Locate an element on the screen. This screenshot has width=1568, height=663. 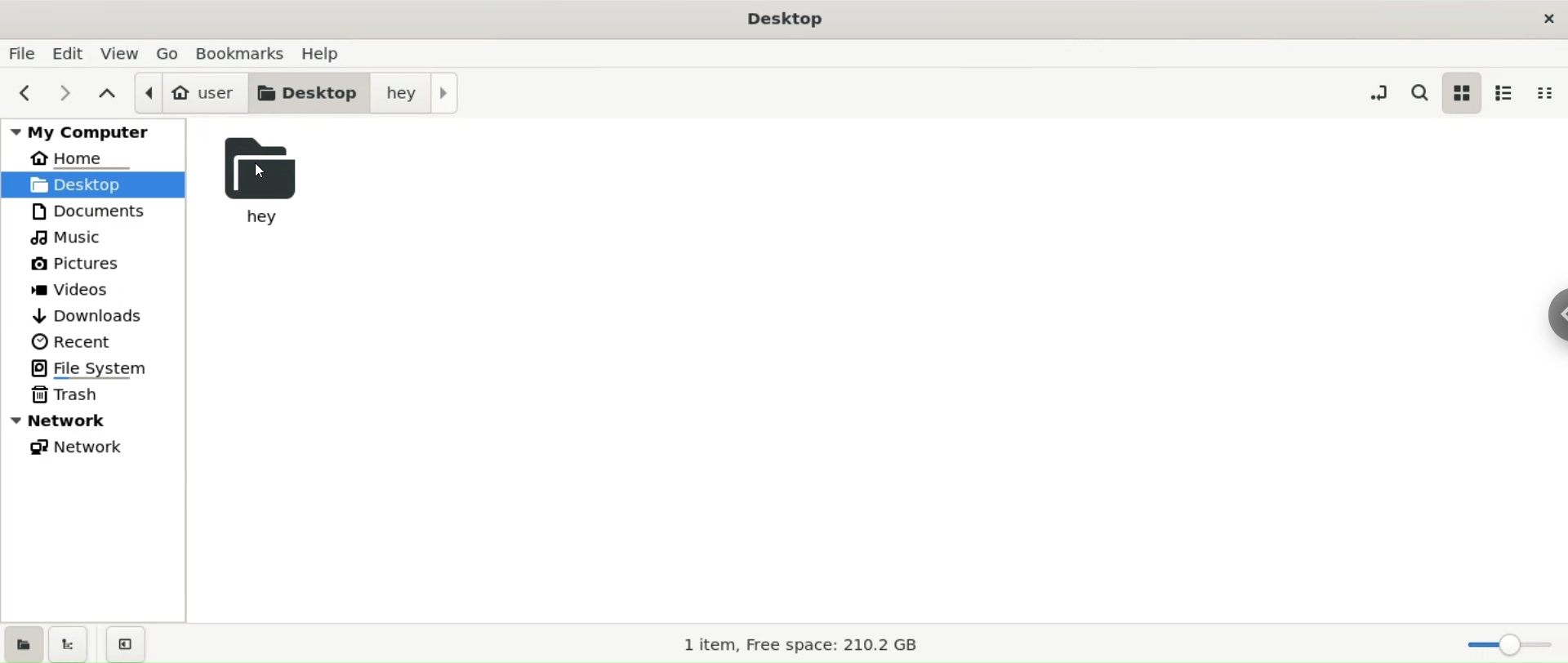
next is located at coordinates (69, 92).